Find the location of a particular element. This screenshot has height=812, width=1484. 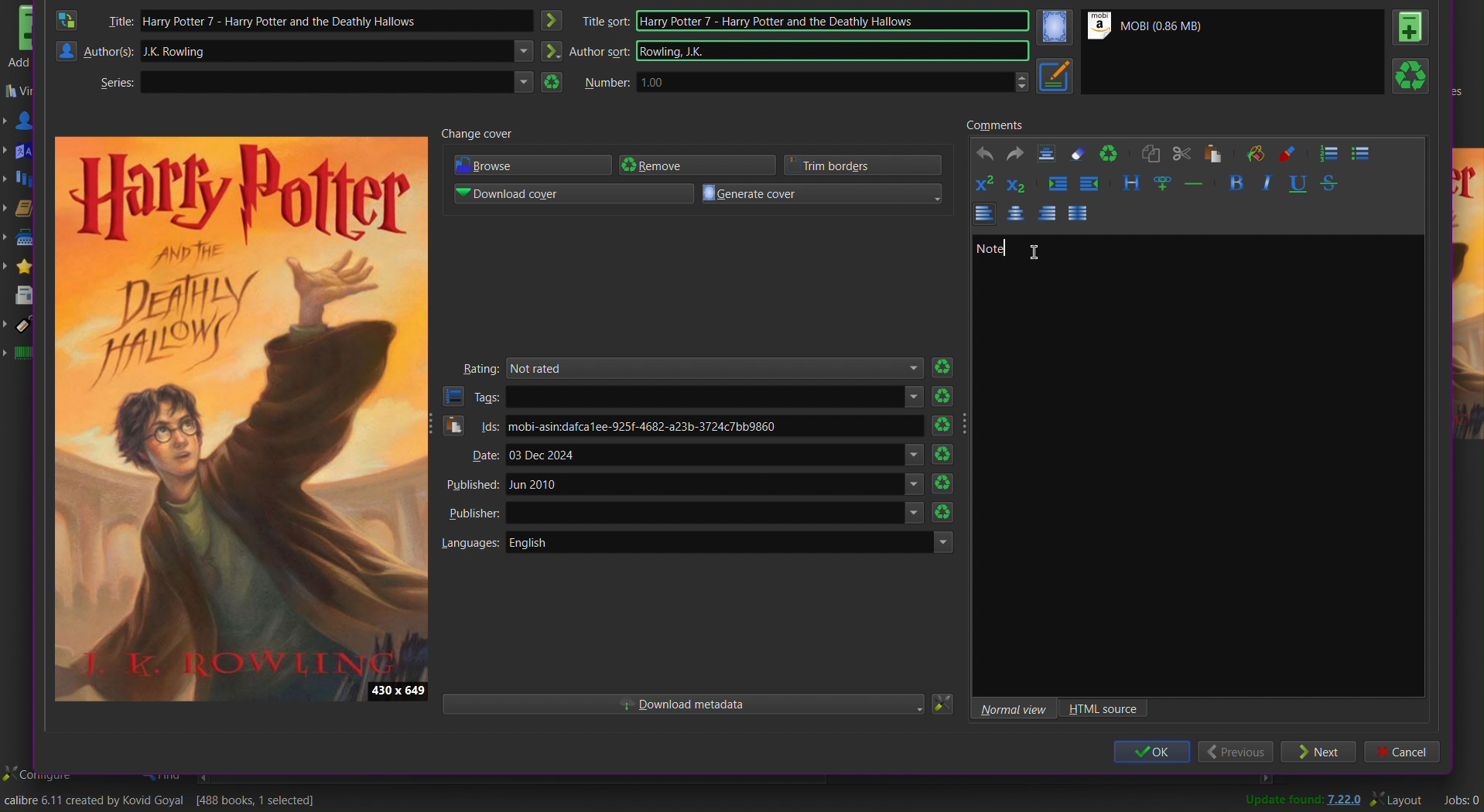

Increase indent is located at coordinates (1057, 184).